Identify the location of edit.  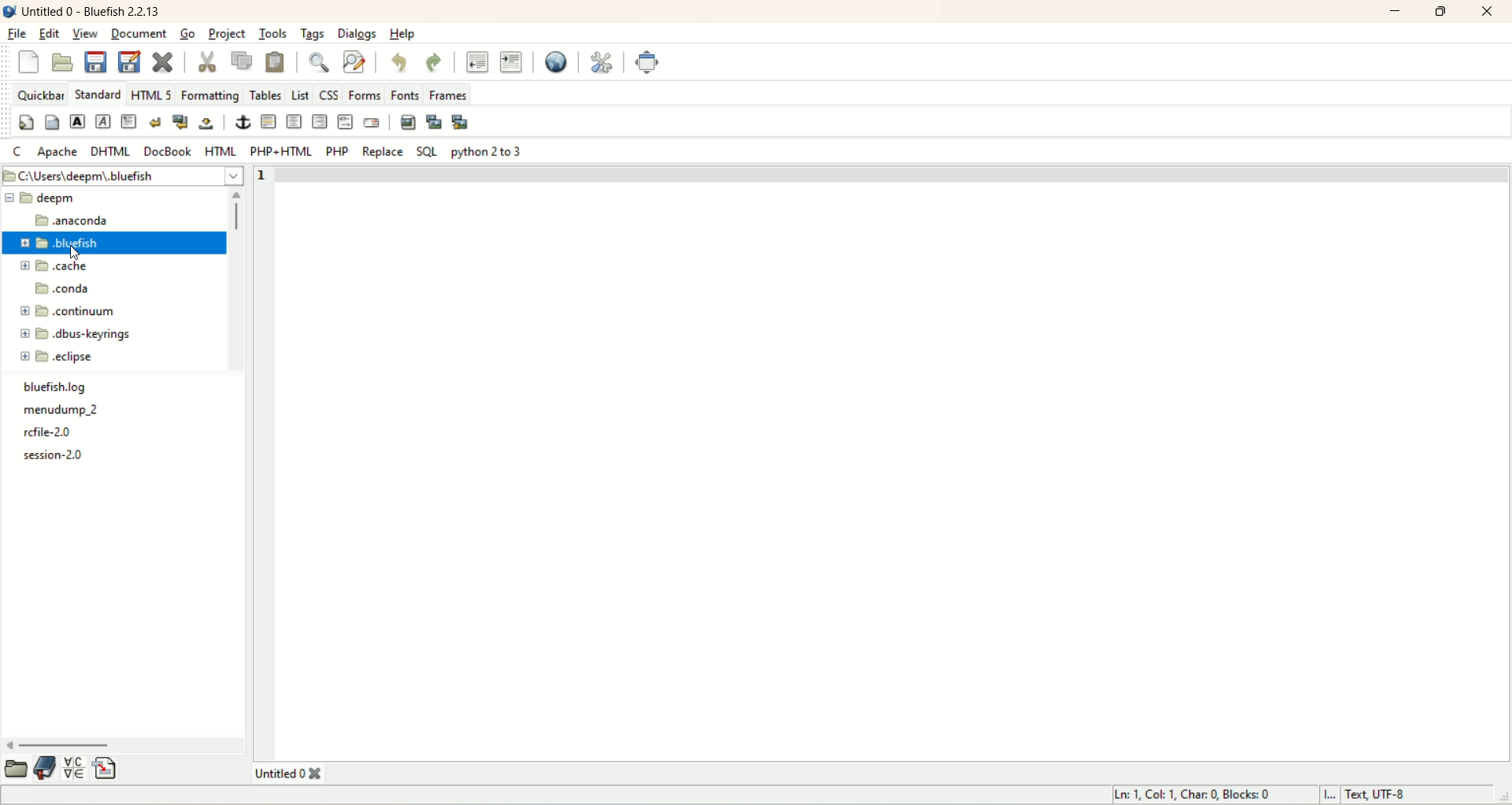
(48, 35).